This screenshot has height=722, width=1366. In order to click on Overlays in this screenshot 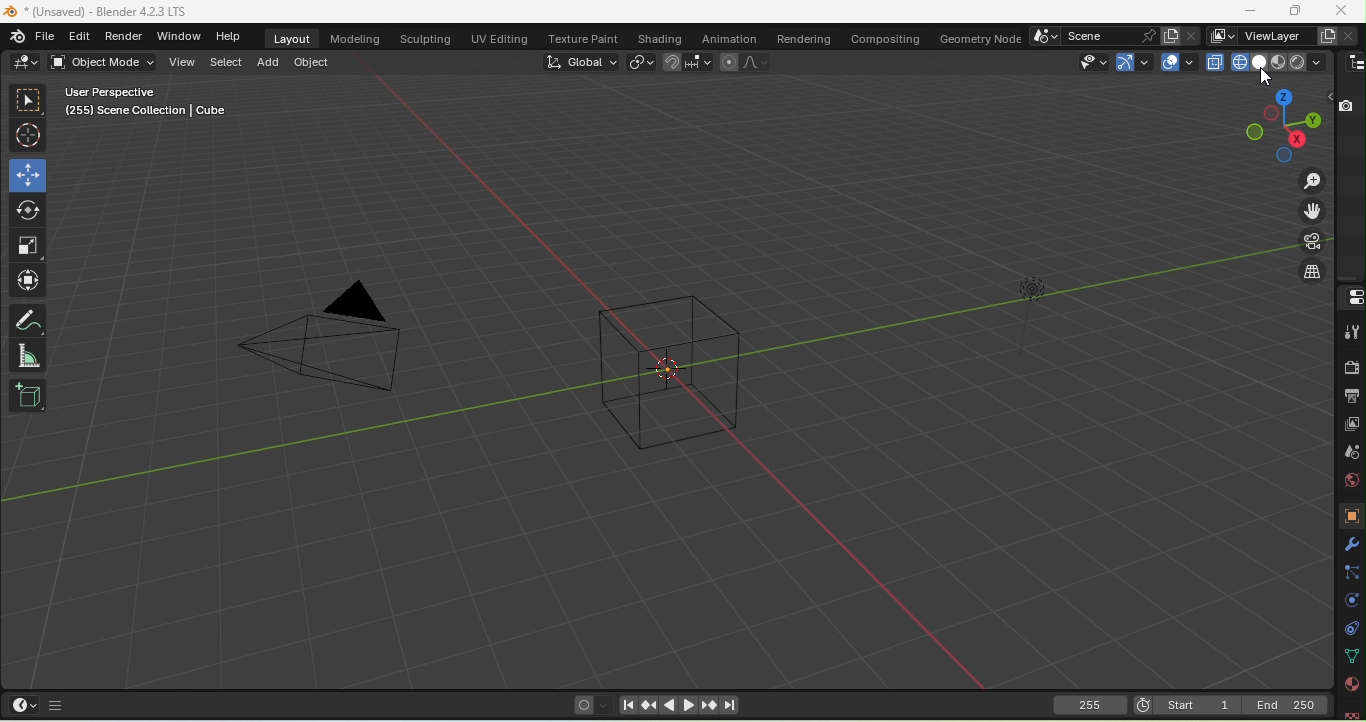, I will do `click(1177, 63)`.